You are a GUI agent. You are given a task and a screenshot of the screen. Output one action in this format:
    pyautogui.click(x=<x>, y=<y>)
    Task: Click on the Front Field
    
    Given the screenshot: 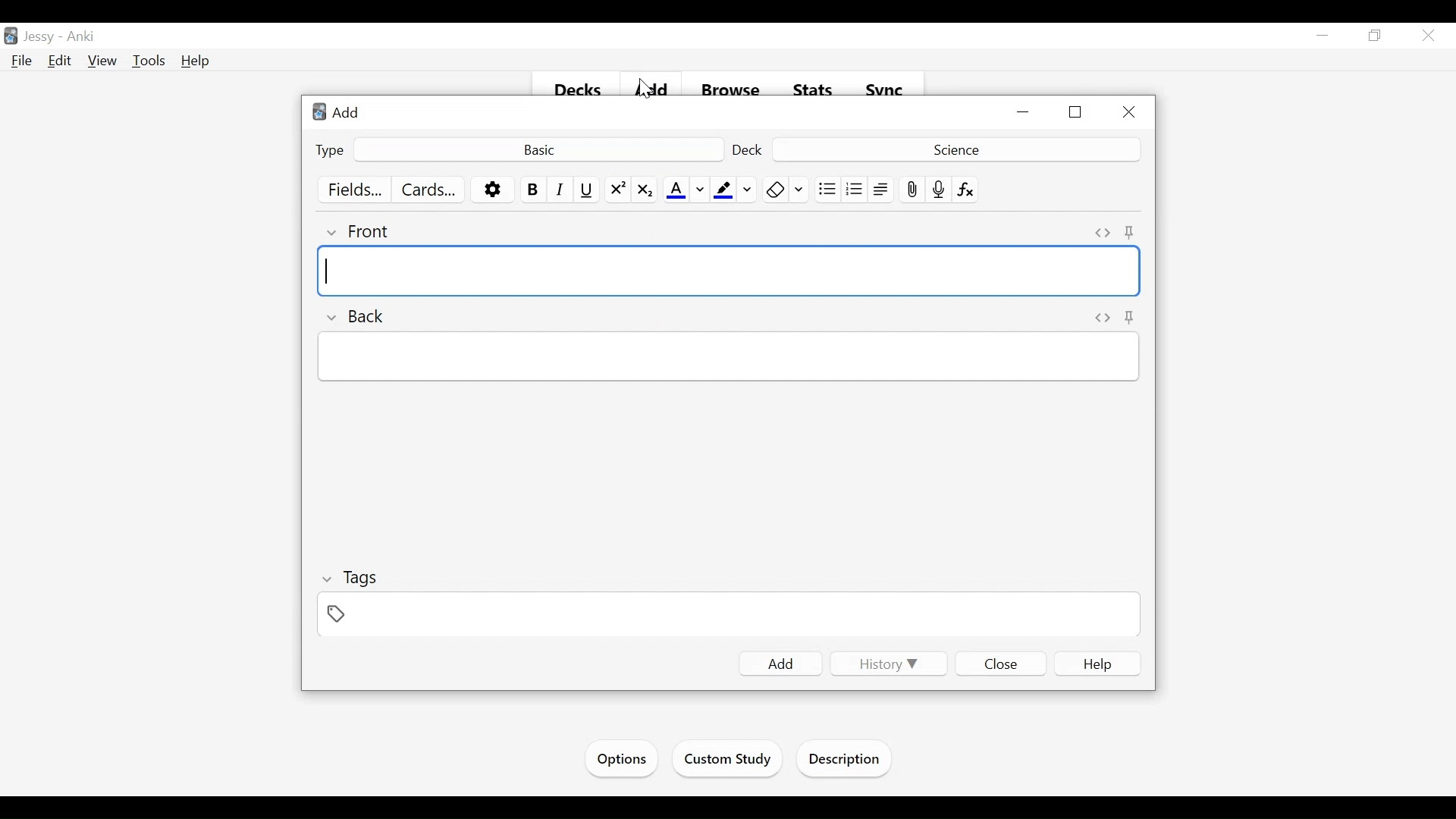 What is the action you would take?
    pyautogui.click(x=730, y=271)
    